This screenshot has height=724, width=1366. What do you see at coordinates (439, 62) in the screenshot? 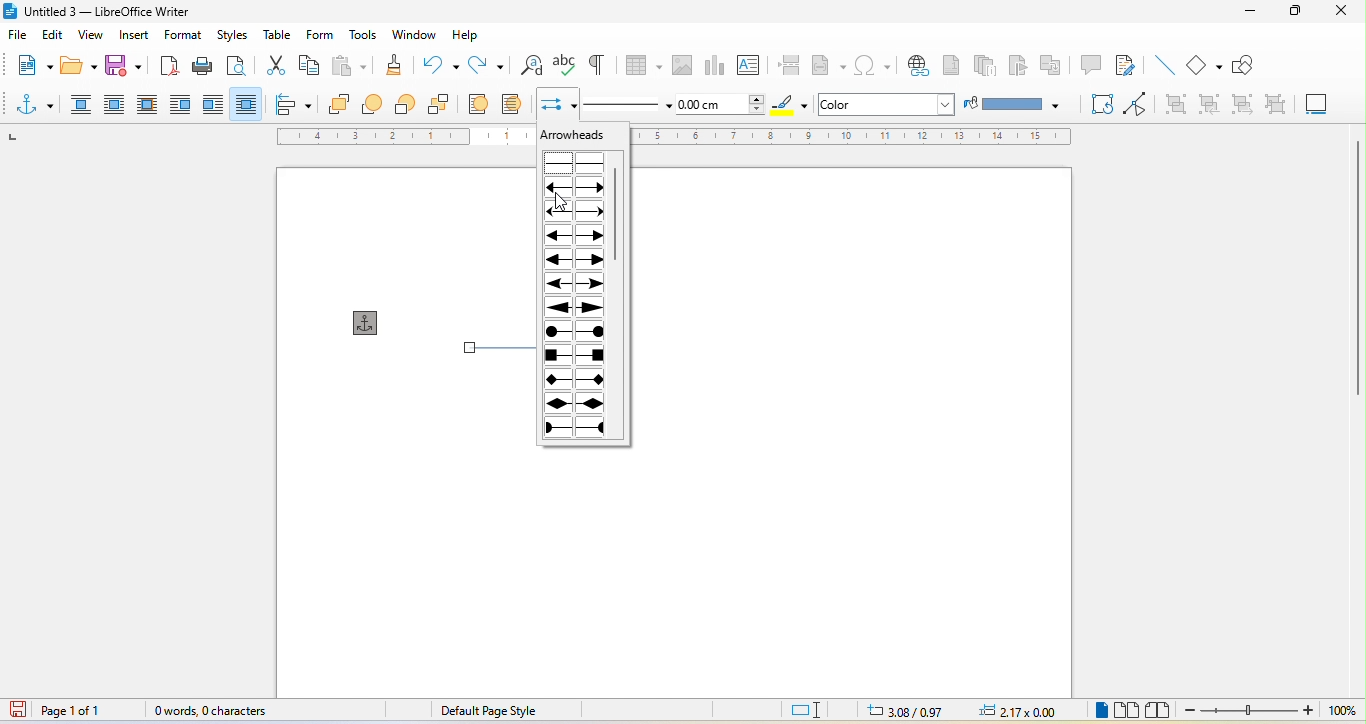
I see `undo` at bounding box center [439, 62].